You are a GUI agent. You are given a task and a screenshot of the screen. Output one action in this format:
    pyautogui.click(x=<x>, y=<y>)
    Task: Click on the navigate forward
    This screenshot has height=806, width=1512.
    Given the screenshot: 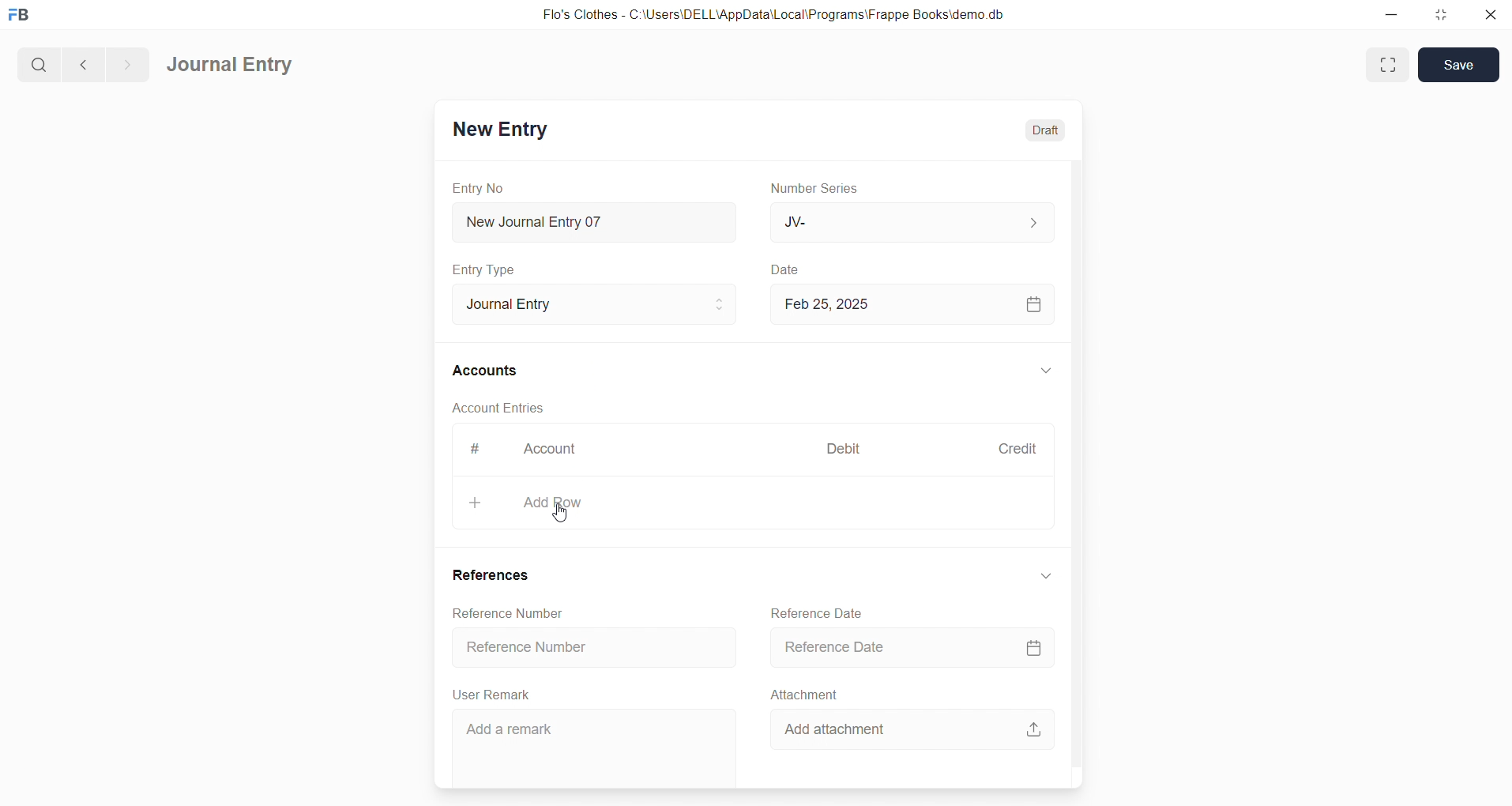 What is the action you would take?
    pyautogui.click(x=127, y=62)
    